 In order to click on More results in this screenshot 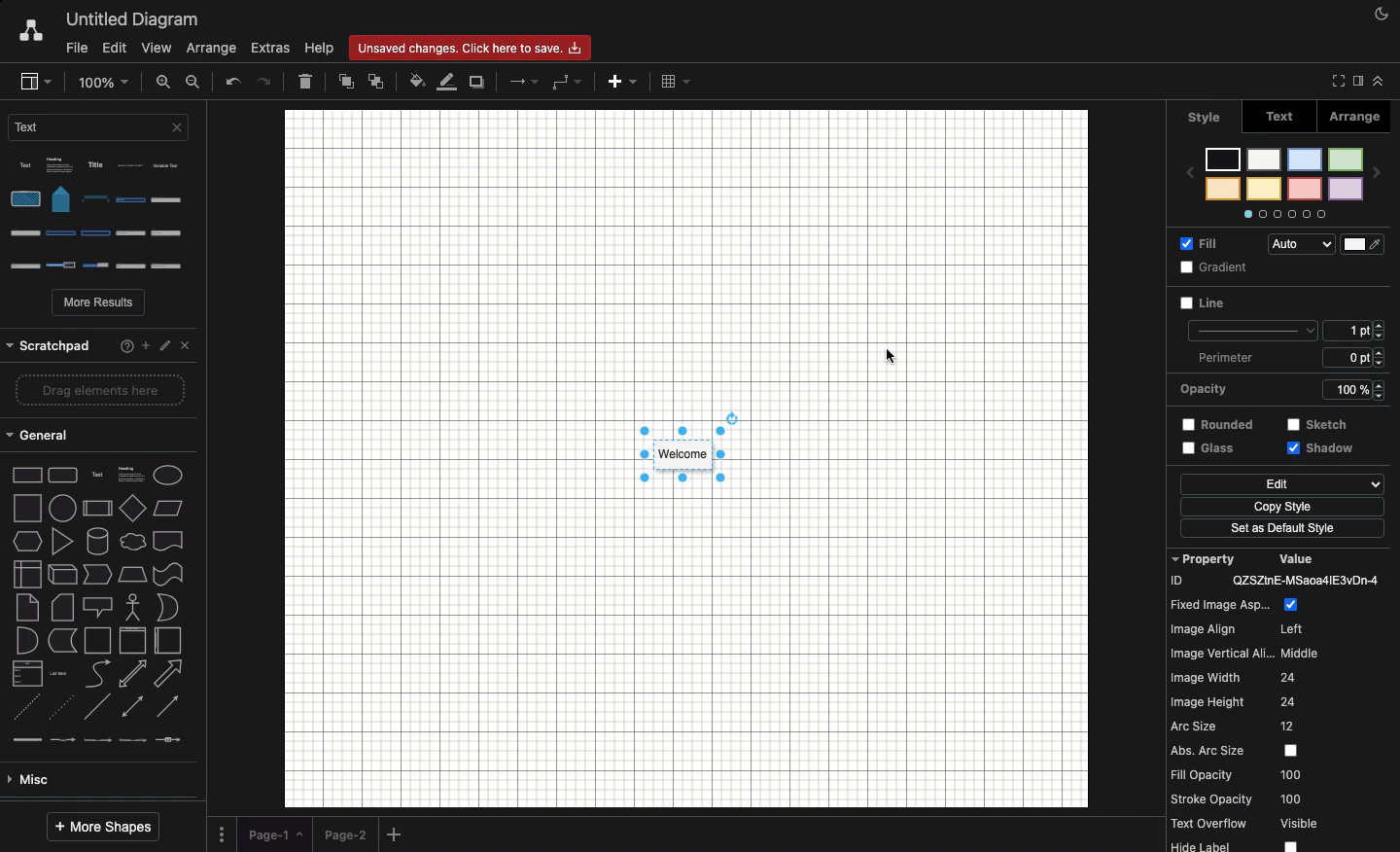, I will do `click(100, 304)`.